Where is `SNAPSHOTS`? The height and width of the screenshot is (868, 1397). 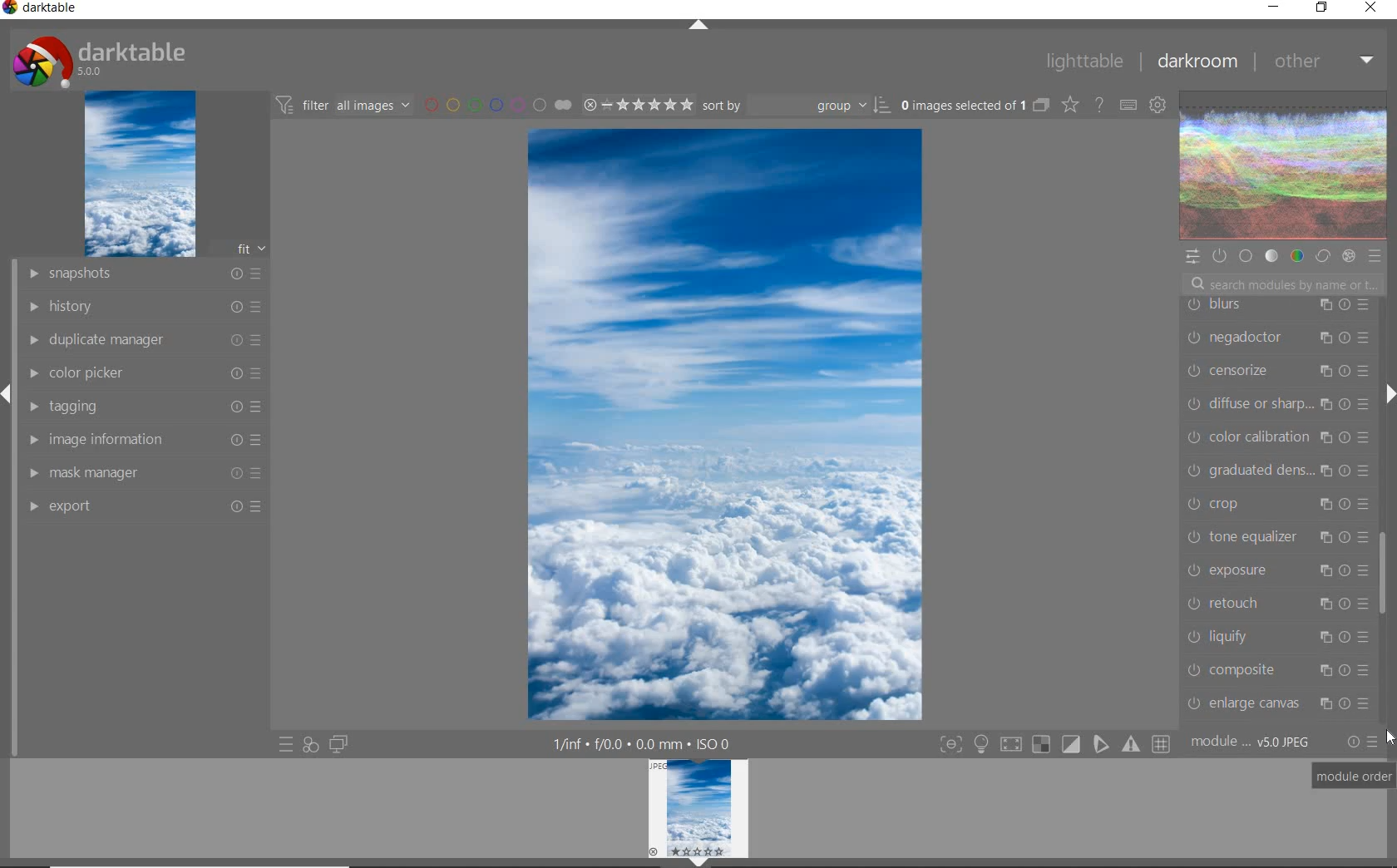
SNAPSHOTS is located at coordinates (146, 274).